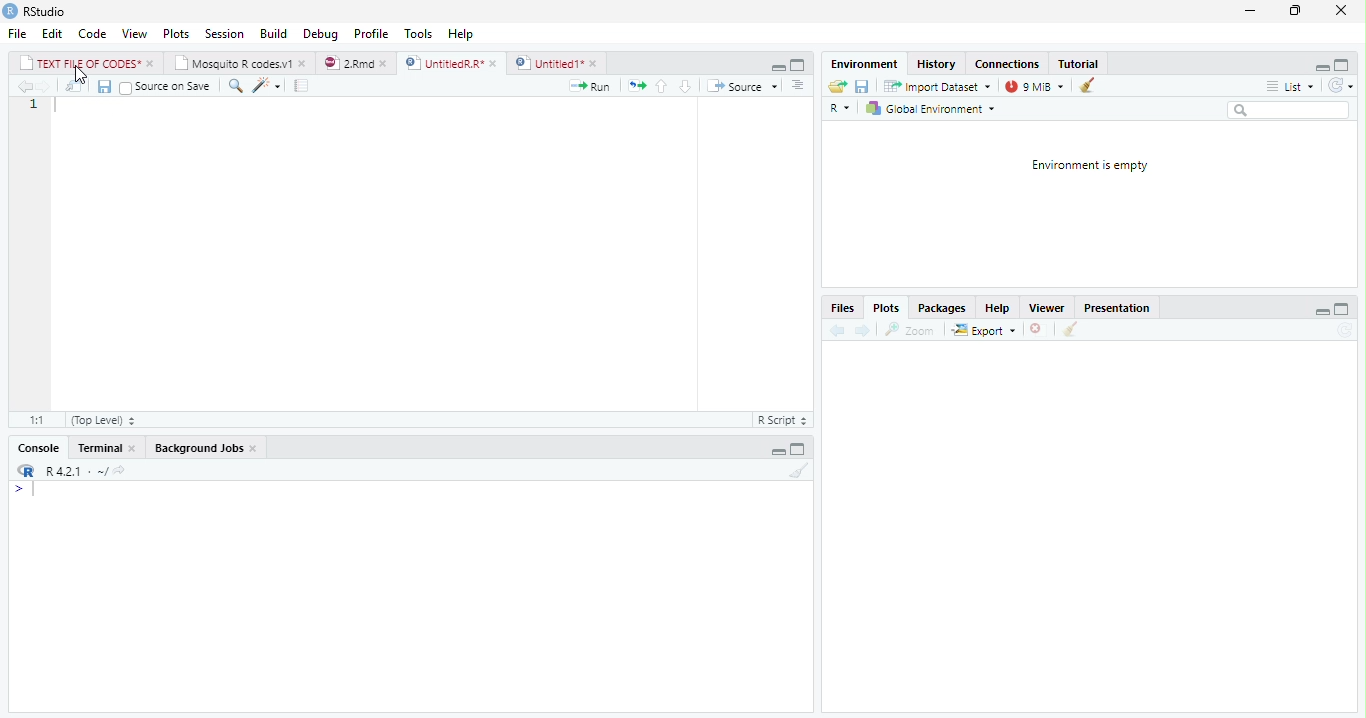 The width and height of the screenshot is (1366, 718). I want to click on Environment is empty, so click(1089, 166).